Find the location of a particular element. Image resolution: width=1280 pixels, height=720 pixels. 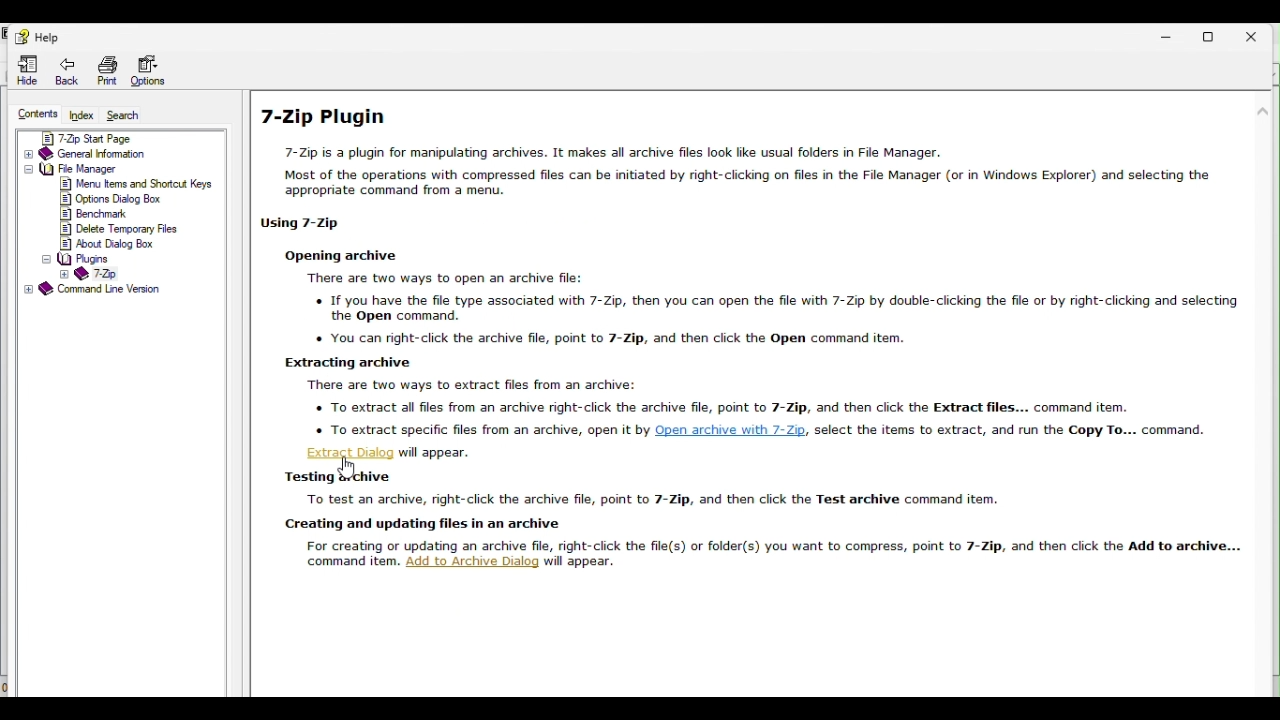

Index is located at coordinates (81, 114).